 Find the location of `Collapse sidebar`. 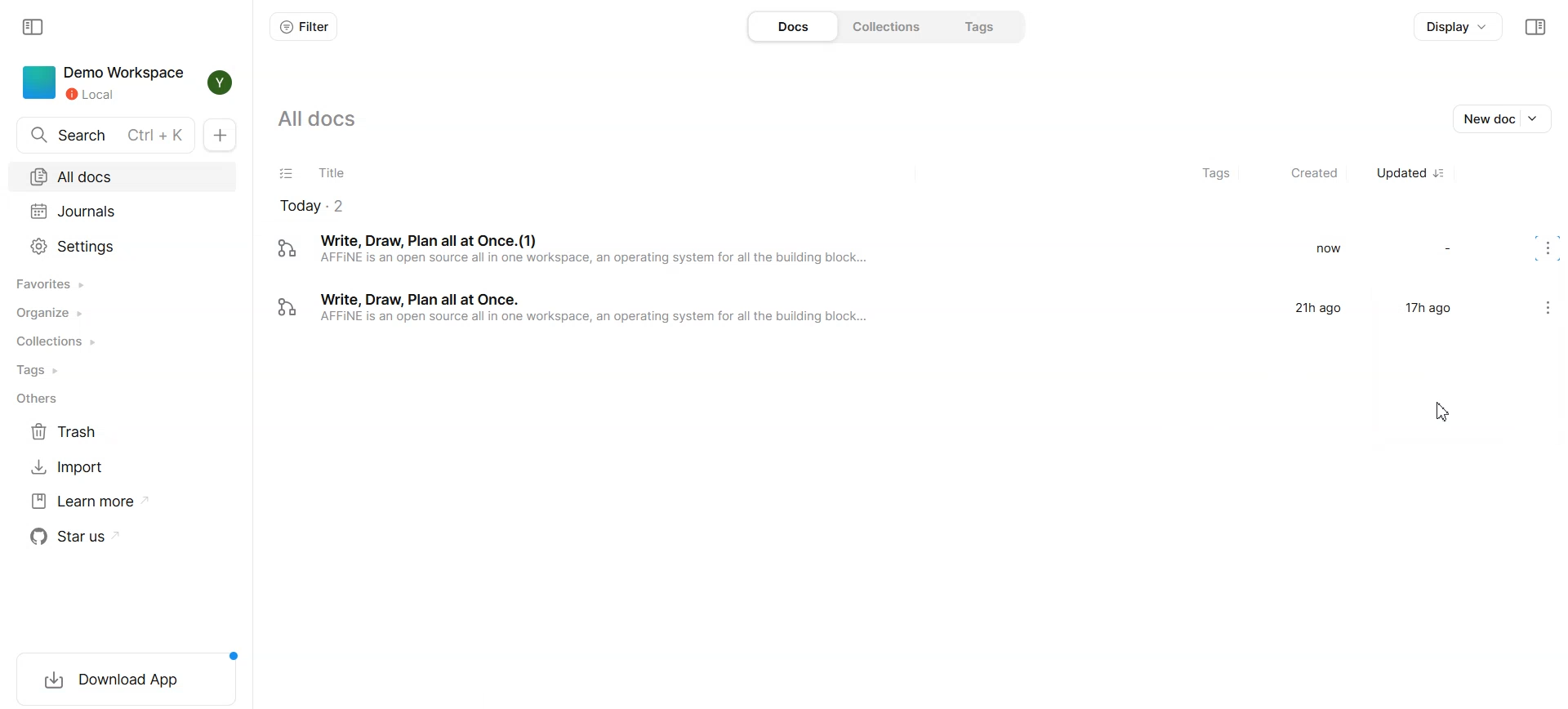

Collapse sidebar is located at coordinates (33, 26).